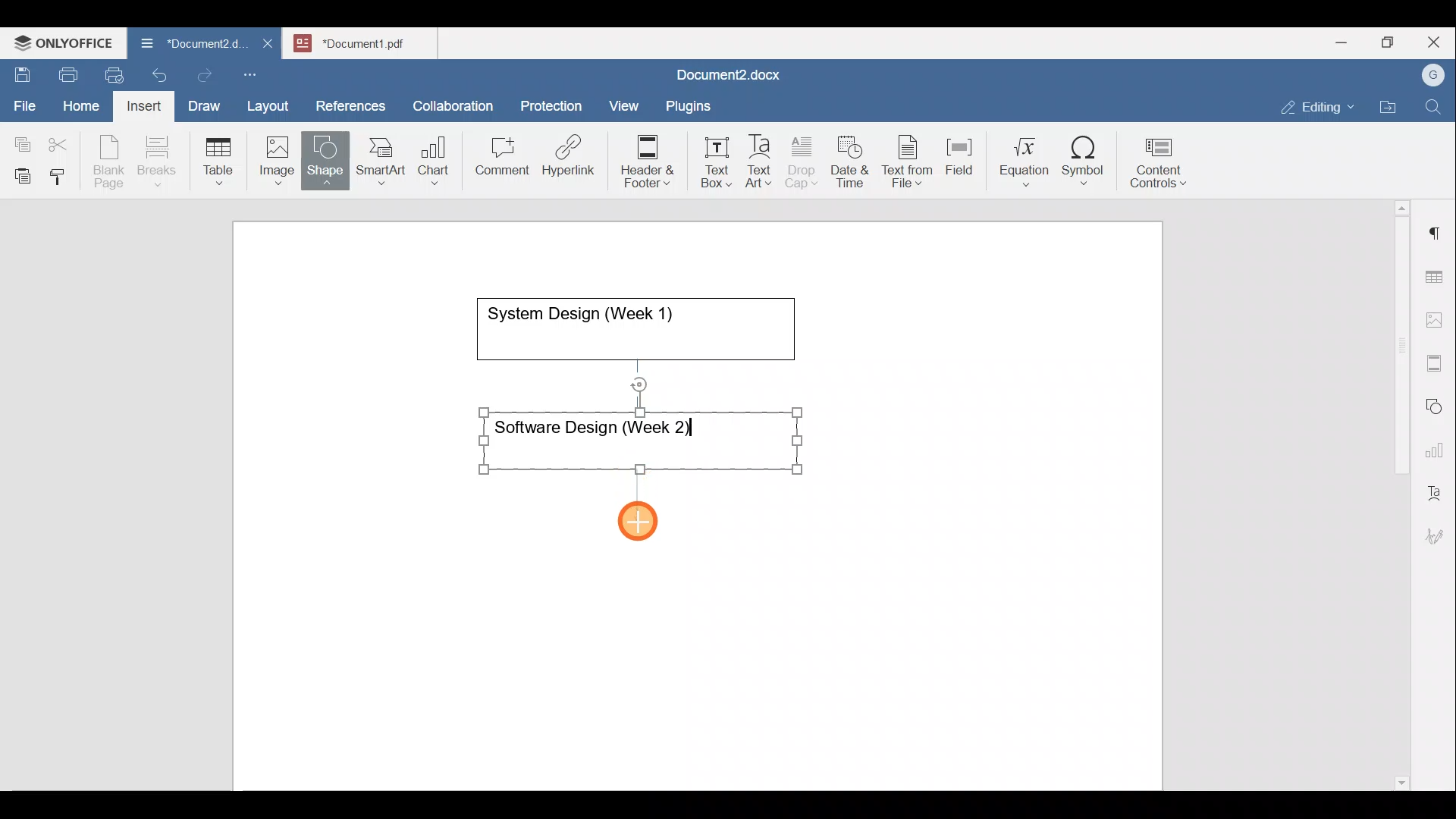 The image size is (1456, 819). Describe the element at coordinates (369, 41) in the screenshot. I see `Document name` at that location.